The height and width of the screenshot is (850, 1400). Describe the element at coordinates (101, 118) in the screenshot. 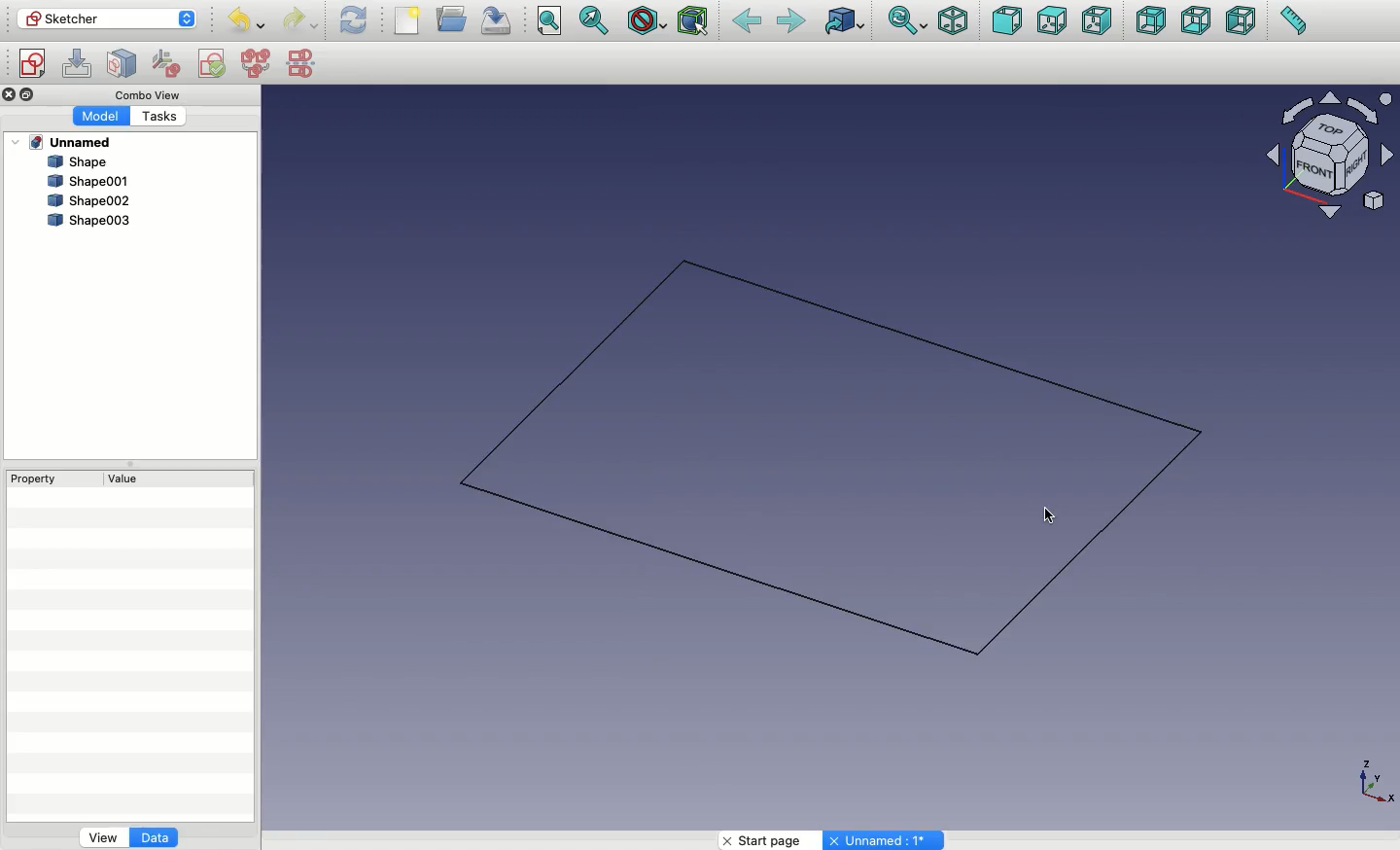

I see `Model` at that location.